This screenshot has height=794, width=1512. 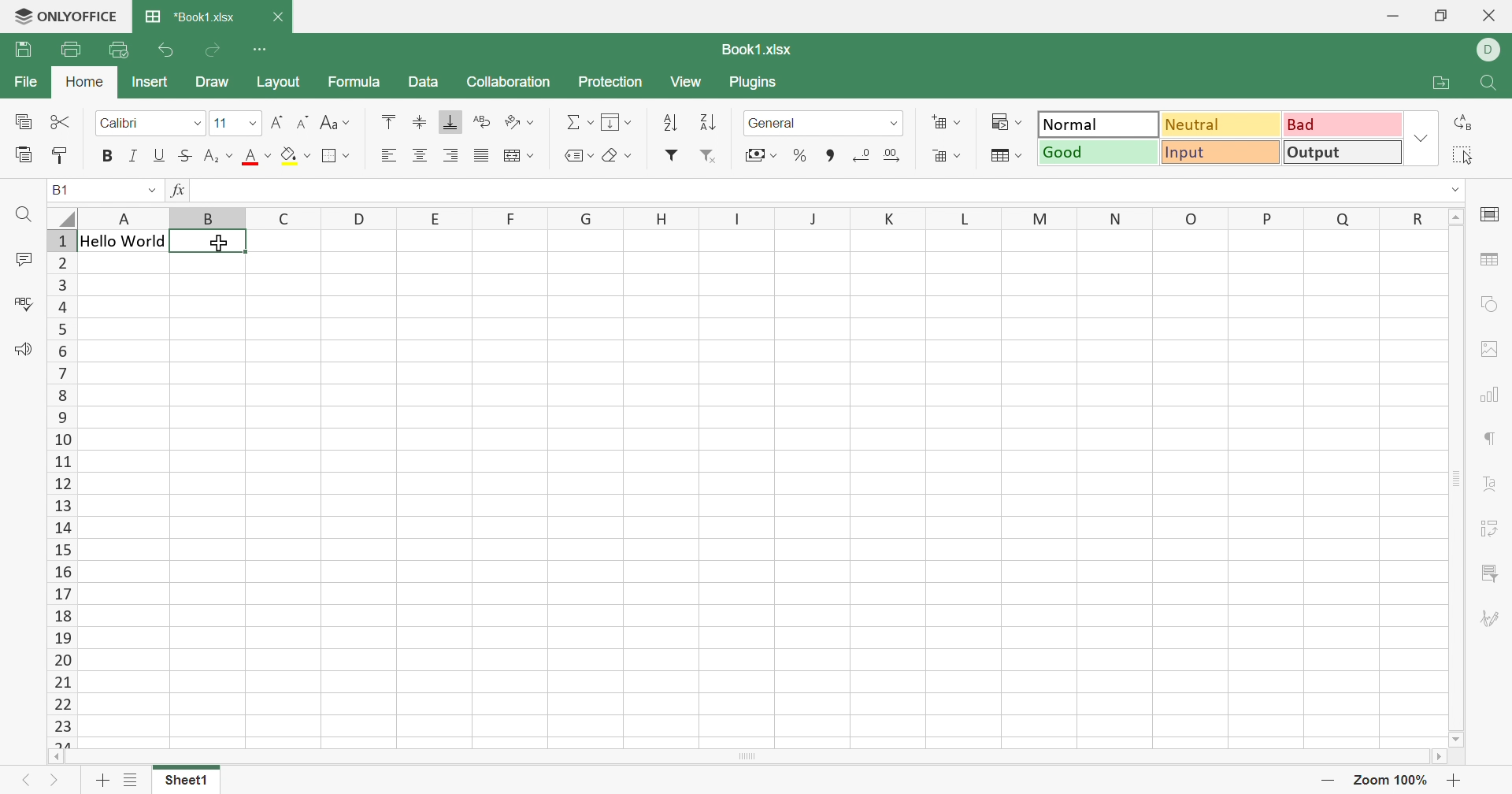 I want to click on Zoom 100%, so click(x=1392, y=780).